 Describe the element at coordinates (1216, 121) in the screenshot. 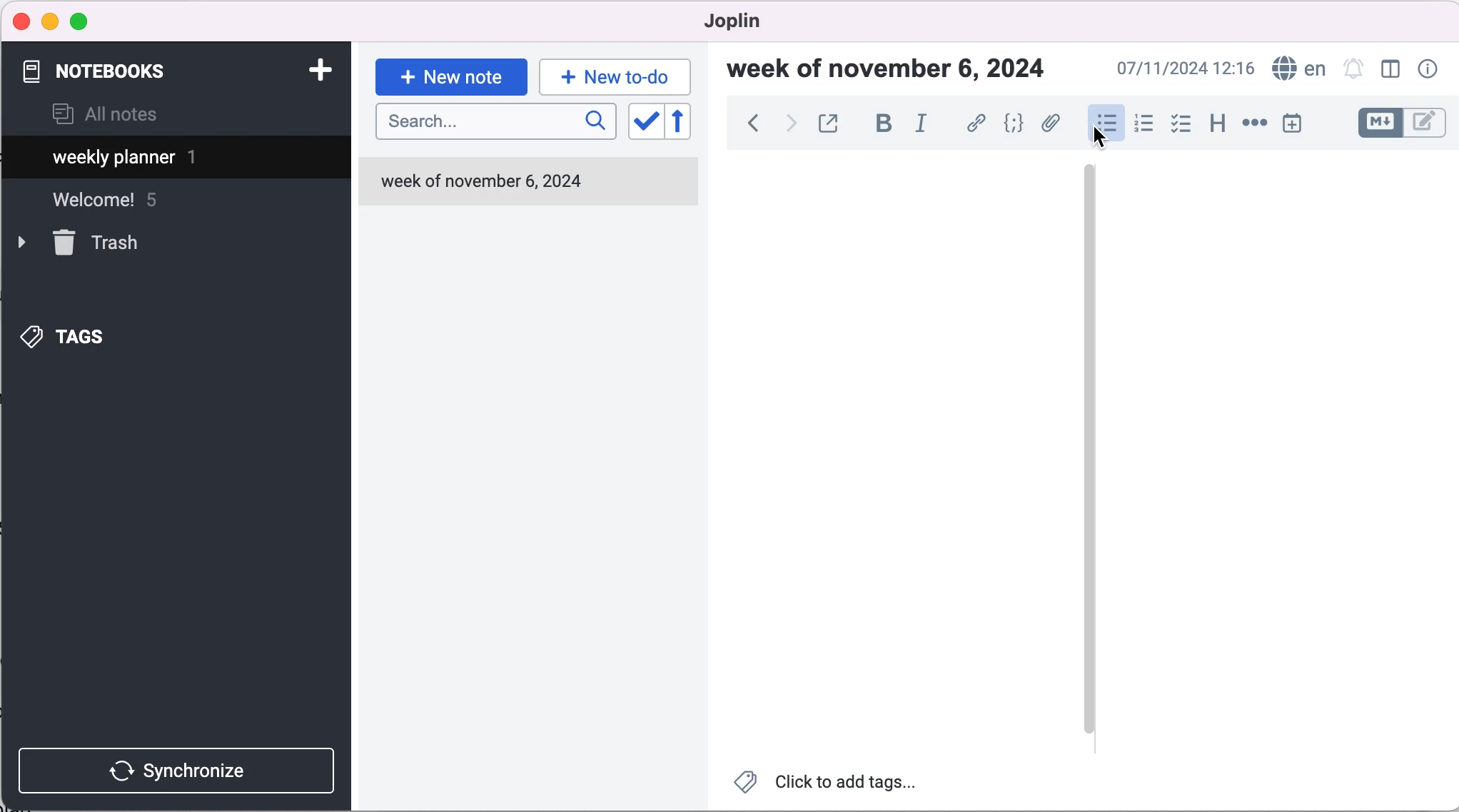

I see `heading` at that location.